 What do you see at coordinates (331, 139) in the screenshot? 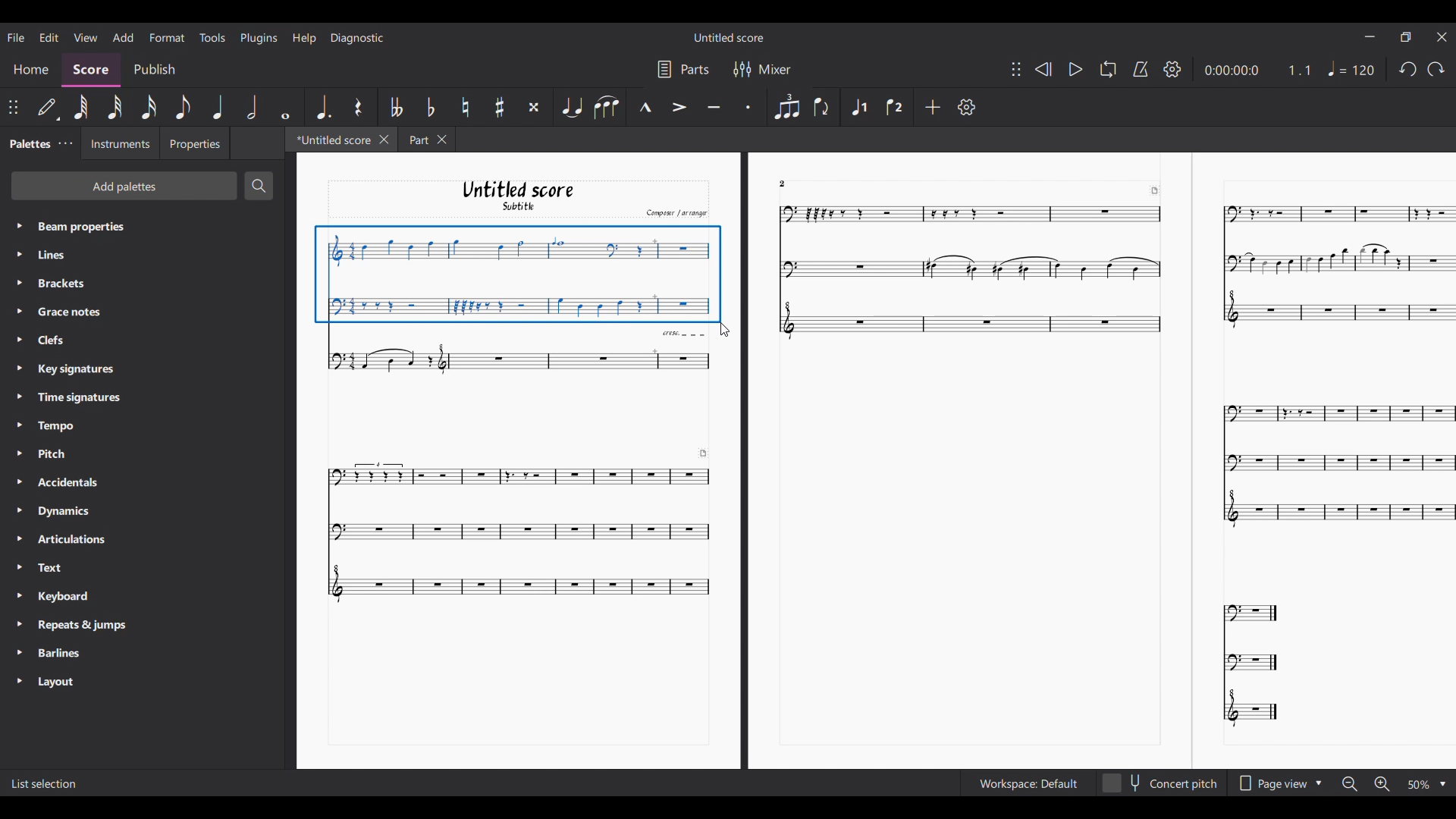
I see `Current tab` at bounding box center [331, 139].